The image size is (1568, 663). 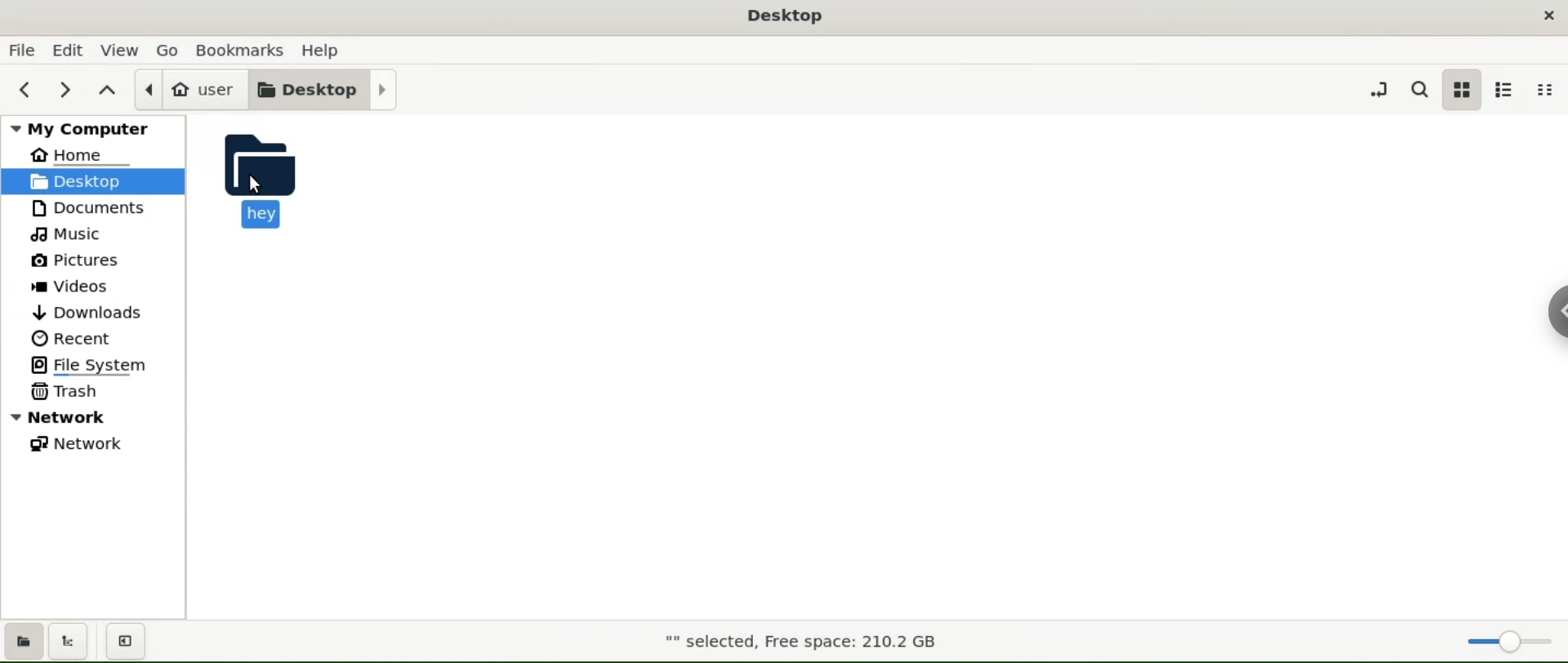 I want to click on help, so click(x=321, y=50).